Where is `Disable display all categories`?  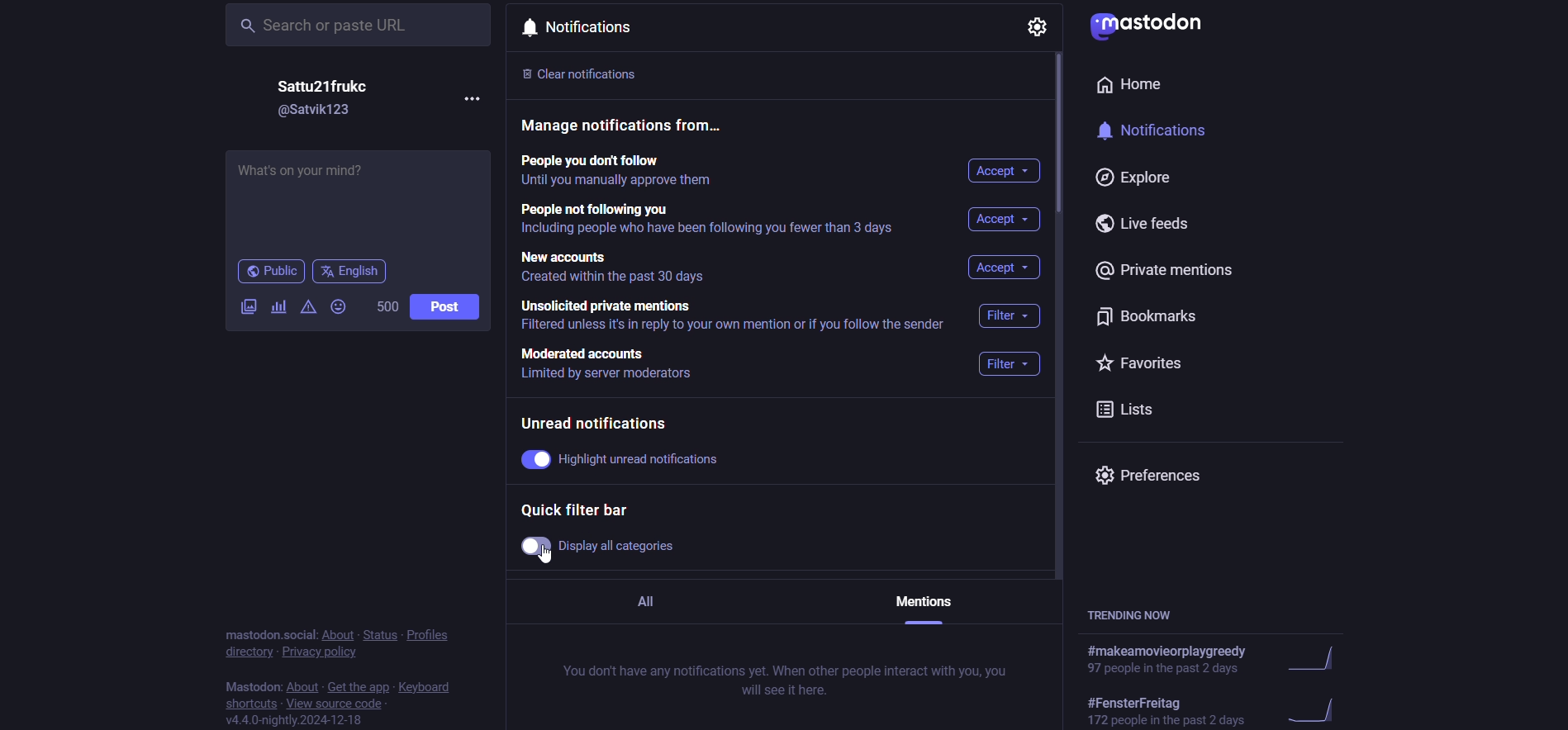
Disable display all categories is located at coordinates (598, 547).